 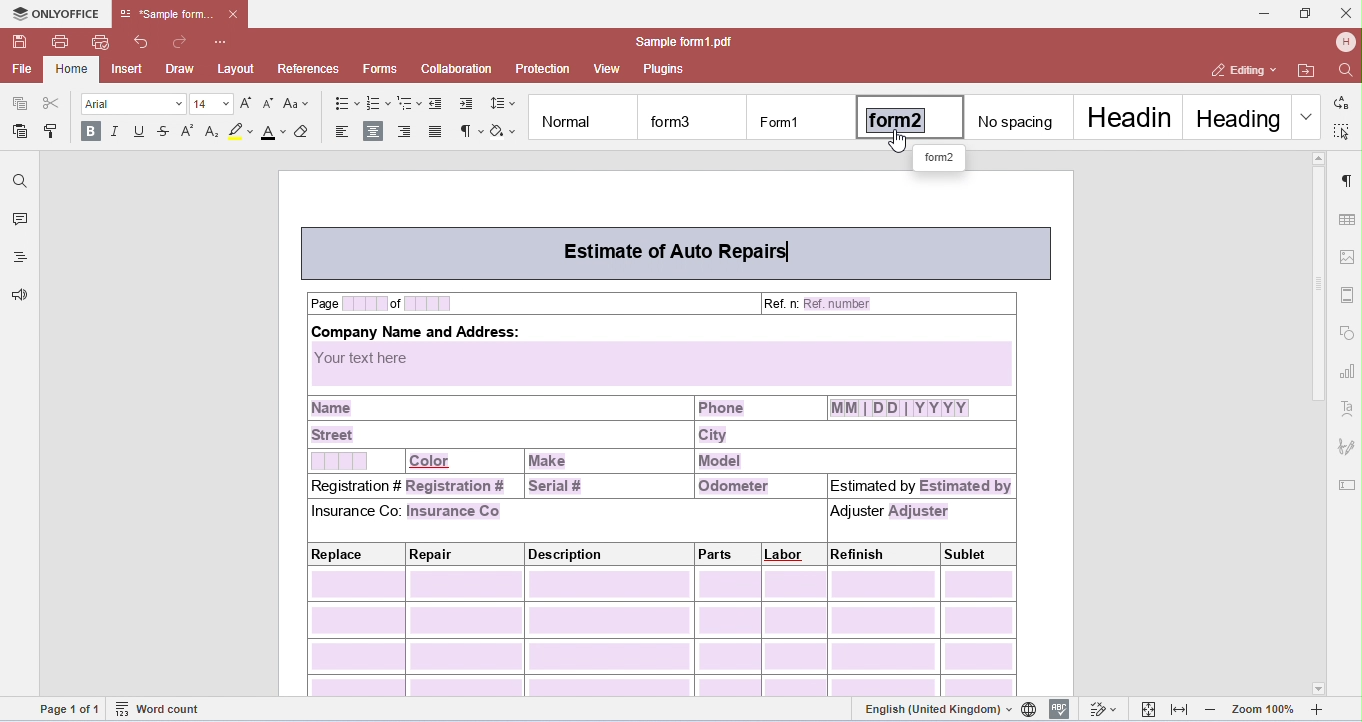 I want to click on comment, so click(x=18, y=221).